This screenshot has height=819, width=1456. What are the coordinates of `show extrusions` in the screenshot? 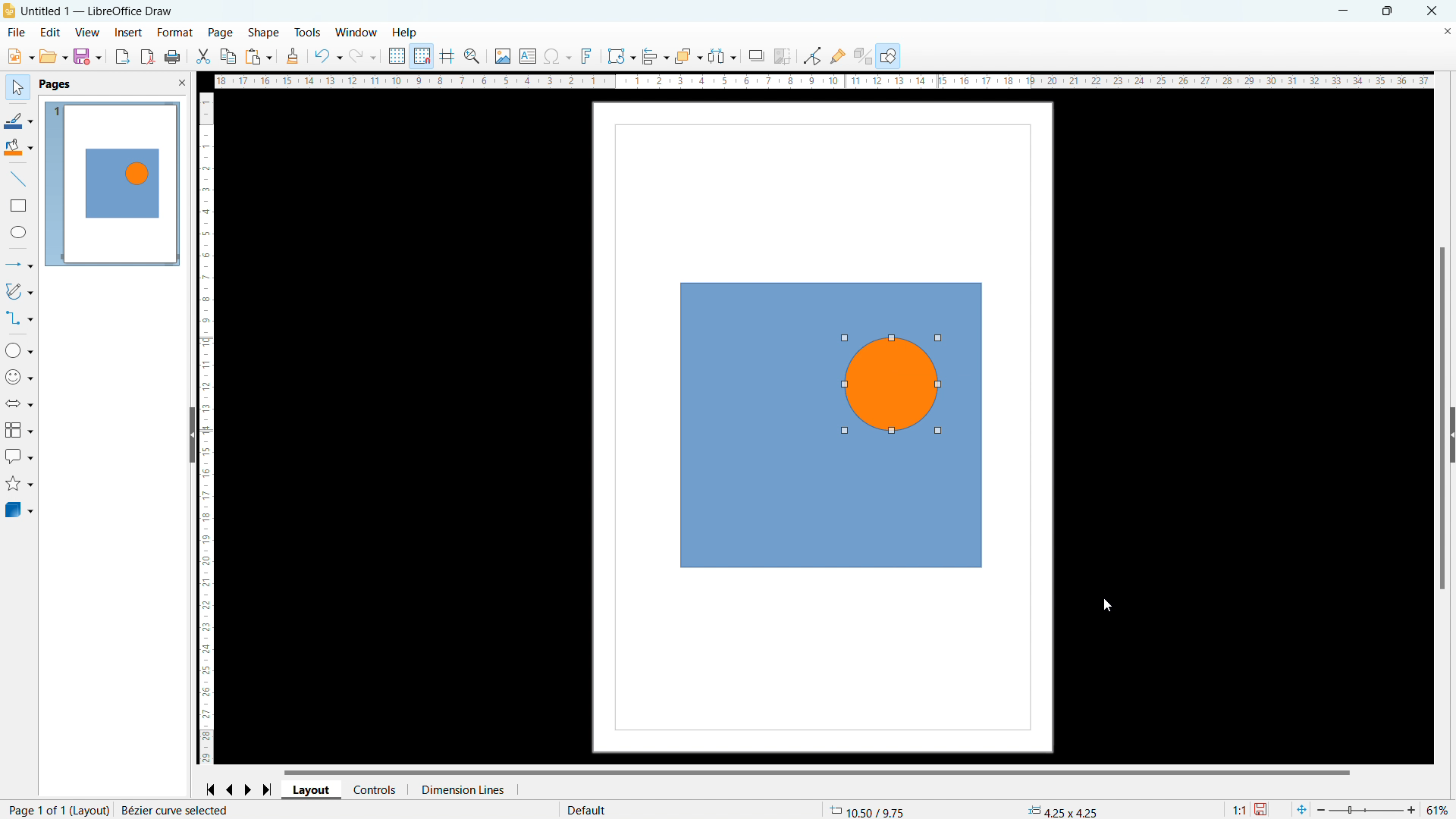 It's located at (864, 56).